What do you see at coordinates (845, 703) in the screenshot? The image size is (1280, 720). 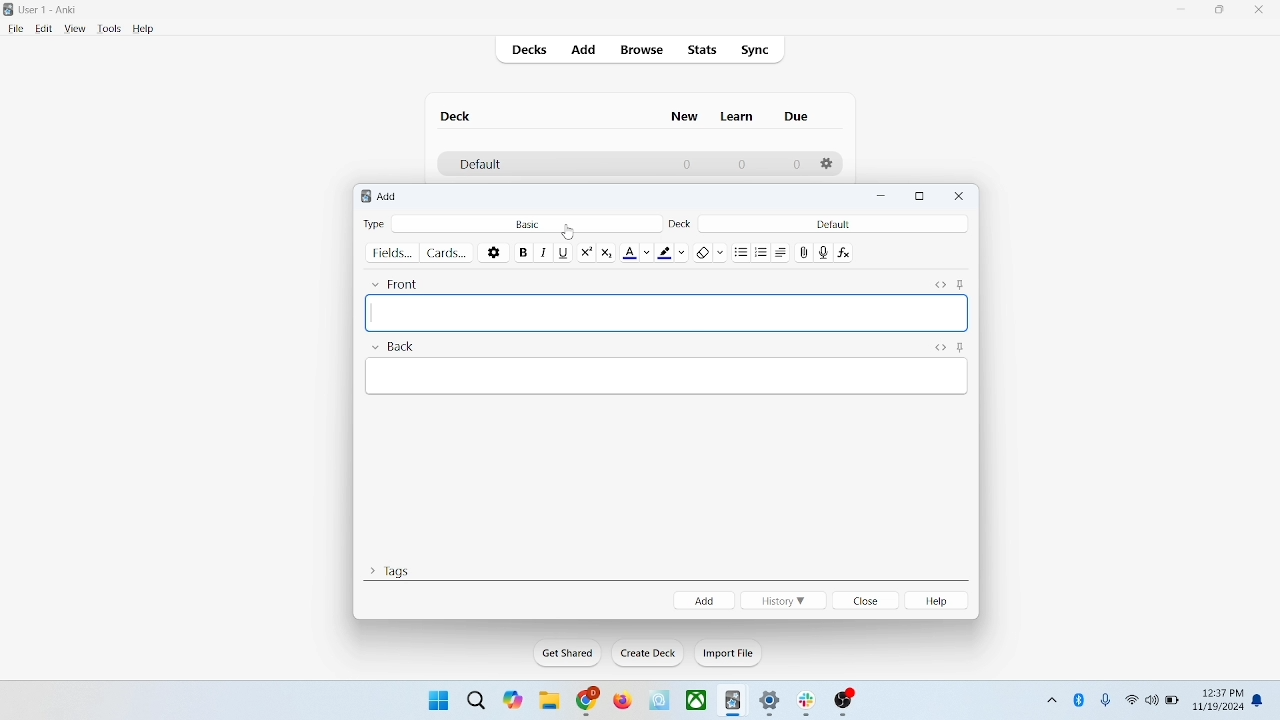 I see `icon` at bounding box center [845, 703].